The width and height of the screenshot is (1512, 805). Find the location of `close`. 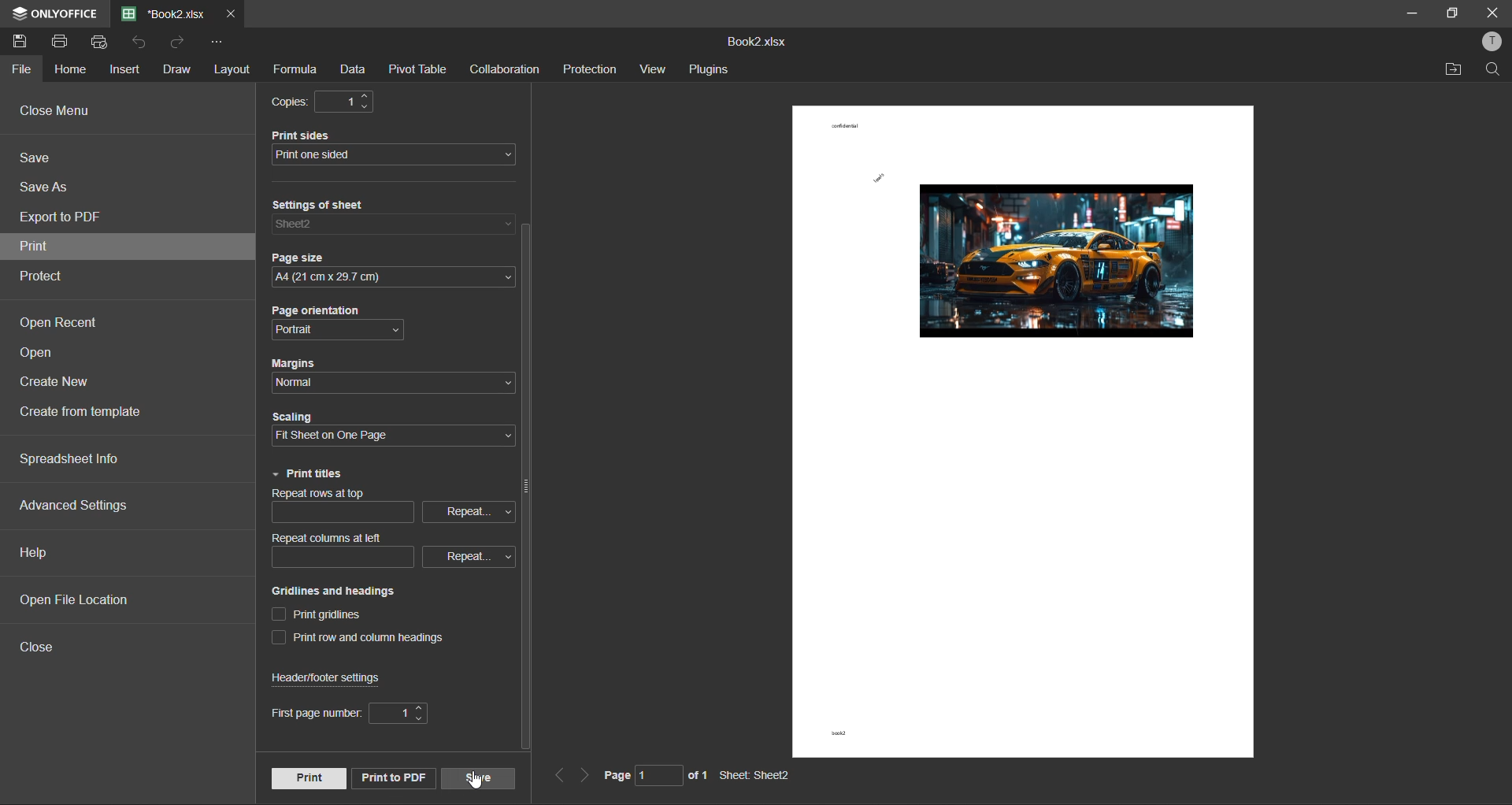

close is located at coordinates (39, 647).